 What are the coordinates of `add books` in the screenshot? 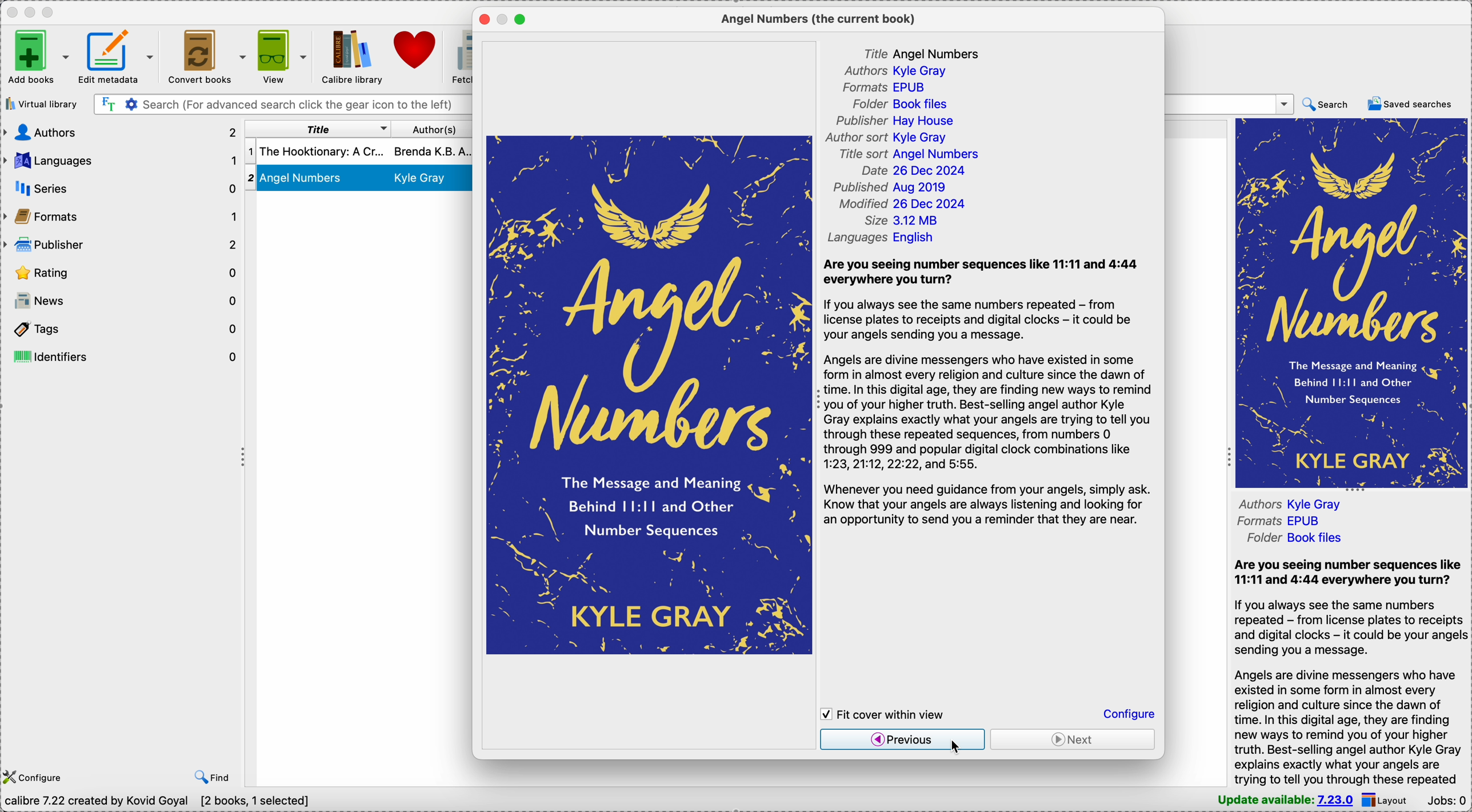 It's located at (38, 56).